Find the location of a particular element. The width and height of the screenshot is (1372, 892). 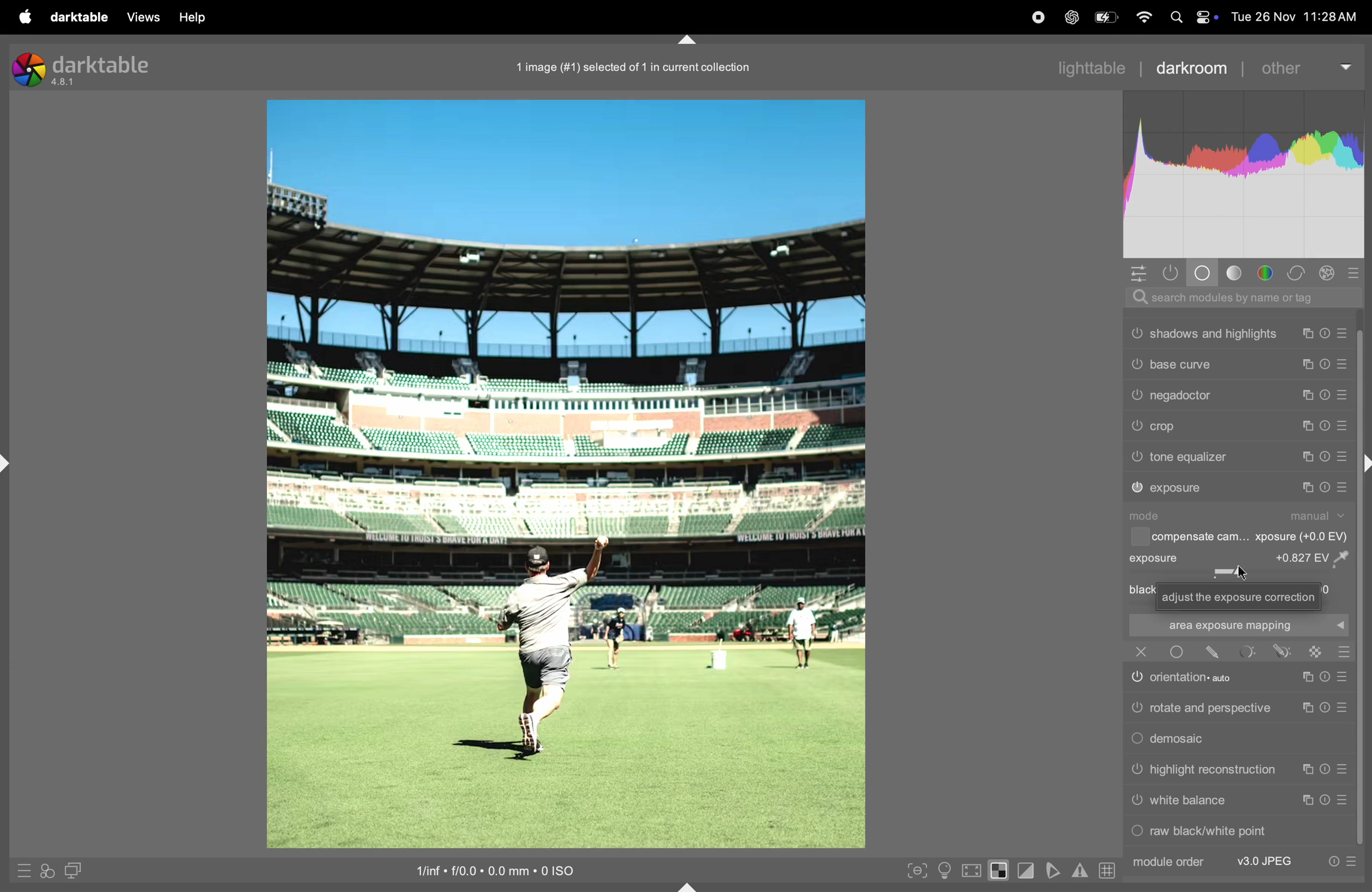

Preset is located at coordinates (1345, 800).